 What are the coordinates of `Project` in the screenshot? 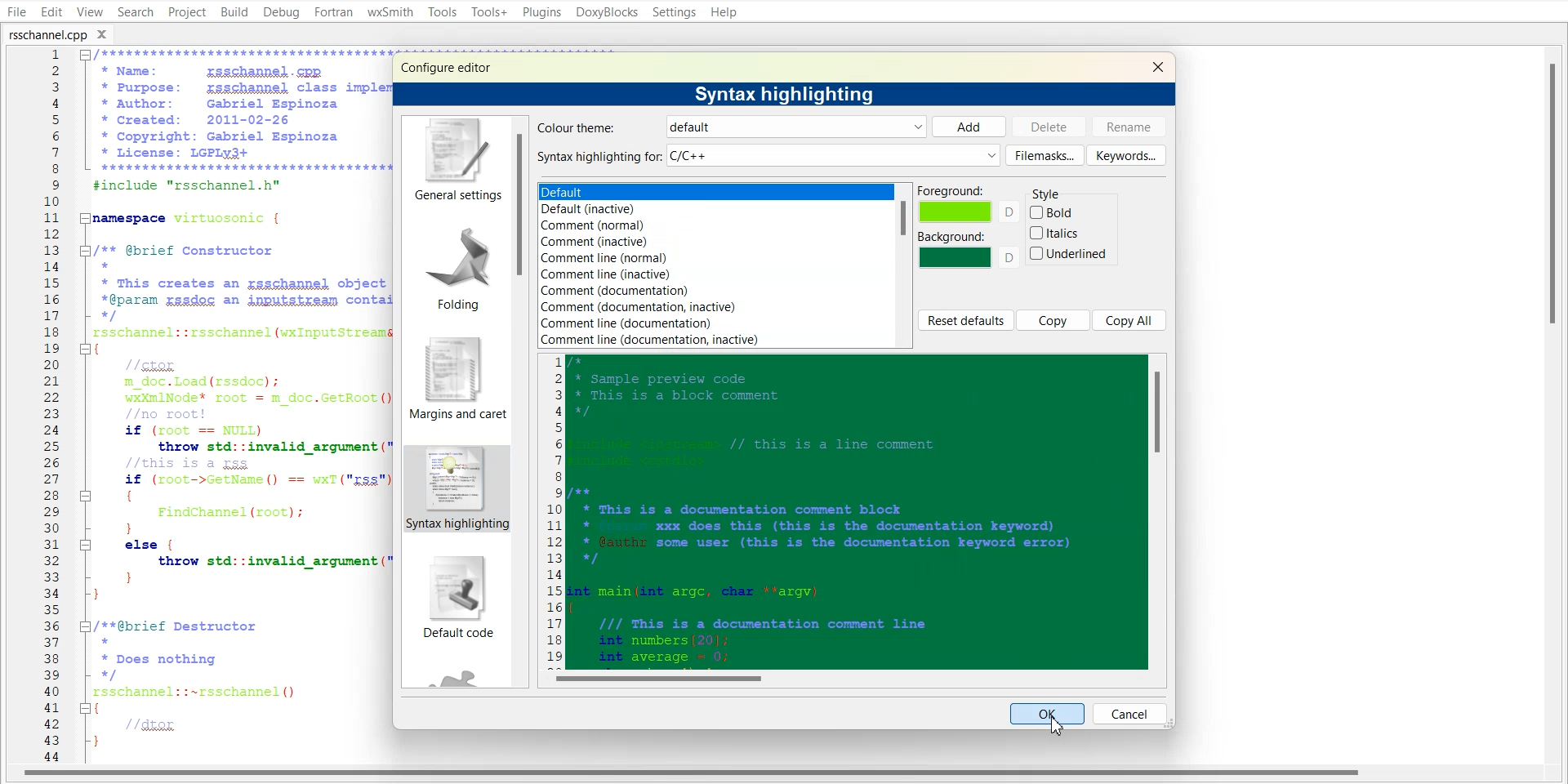 It's located at (186, 11).